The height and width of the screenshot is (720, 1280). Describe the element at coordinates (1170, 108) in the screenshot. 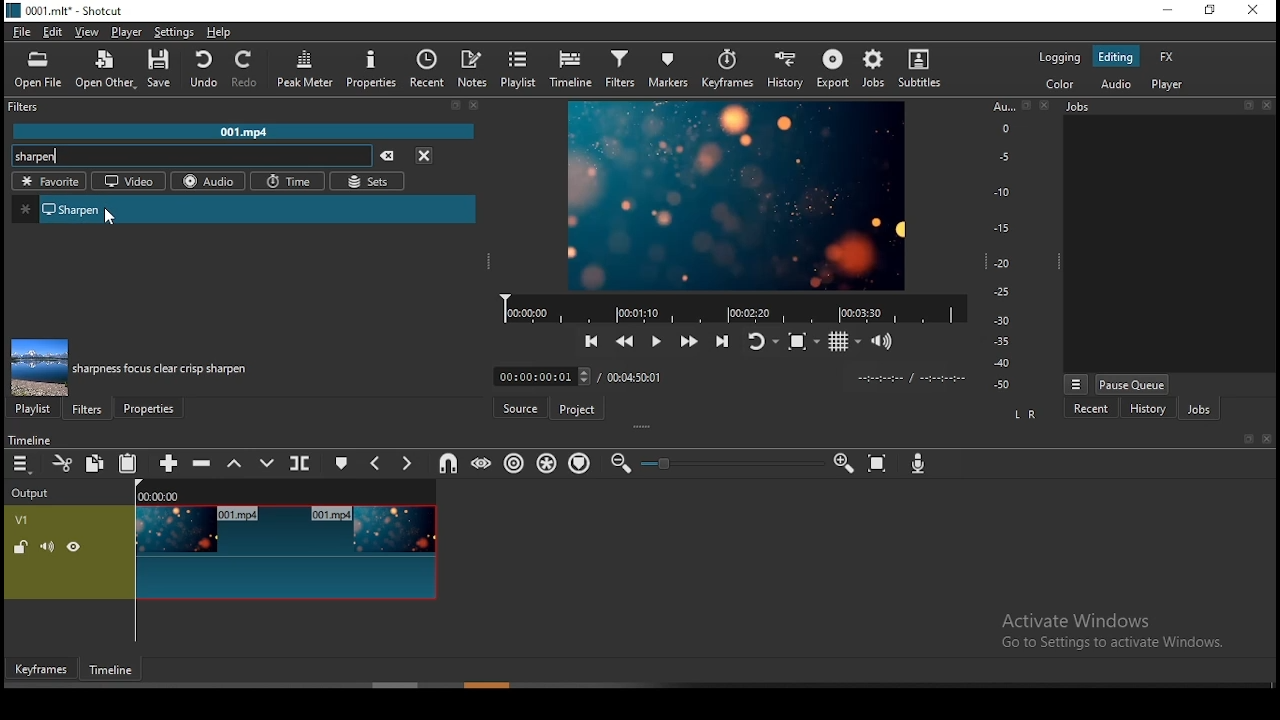

I see `Jobs` at that location.